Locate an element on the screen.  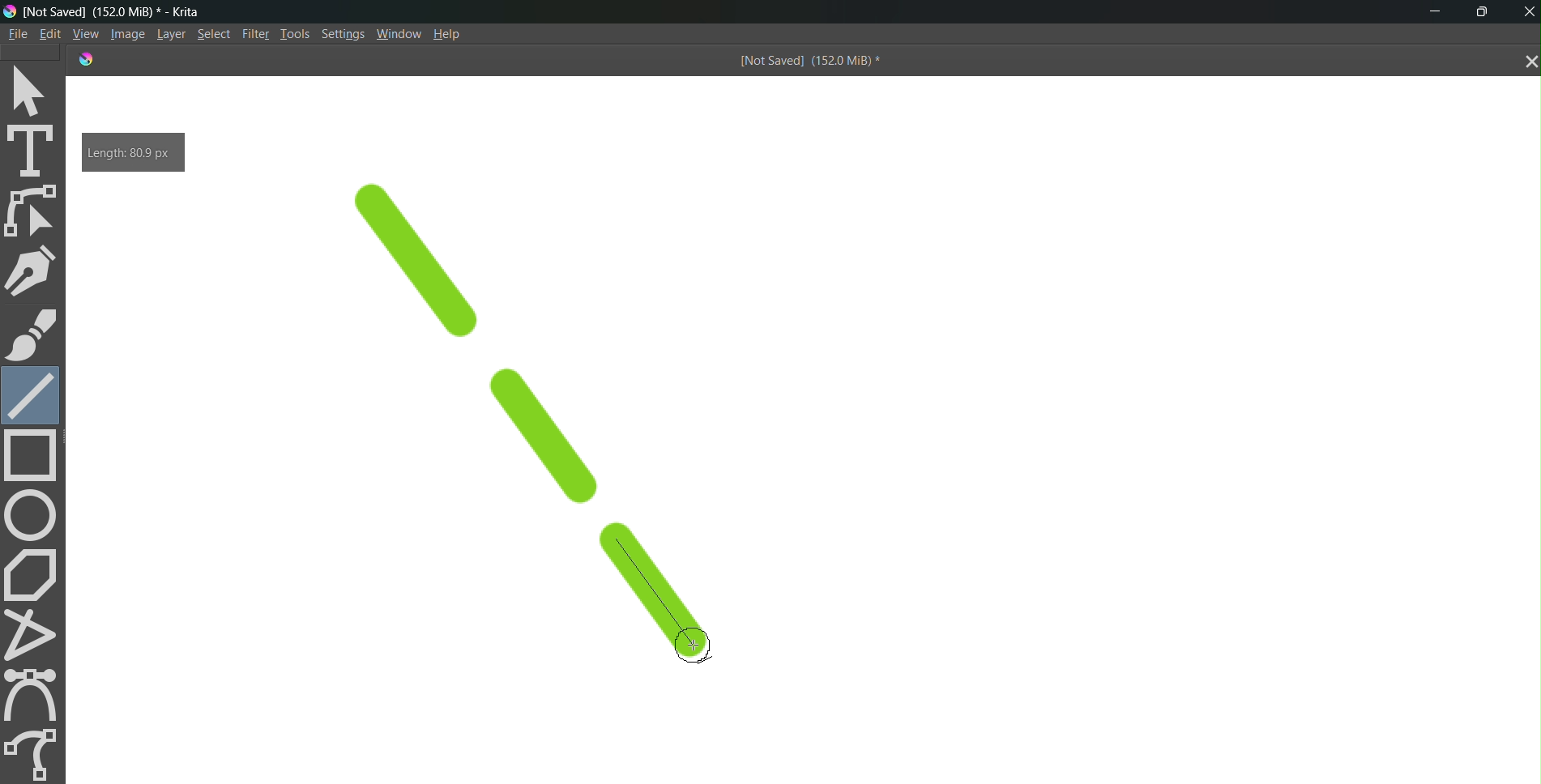
line is located at coordinates (31, 393).